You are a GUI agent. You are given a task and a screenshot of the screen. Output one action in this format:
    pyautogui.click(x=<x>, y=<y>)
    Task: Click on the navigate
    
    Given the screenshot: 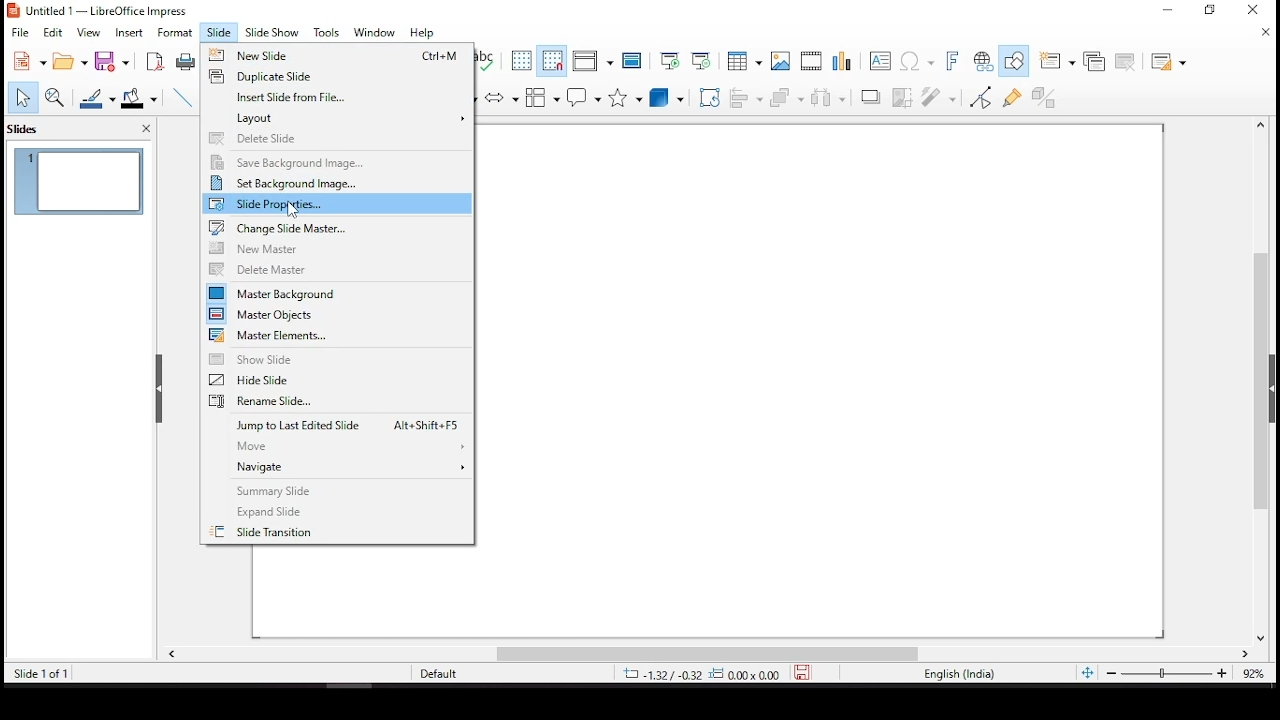 What is the action you would take?
    pyautogui.click(x=338, y=468)
    